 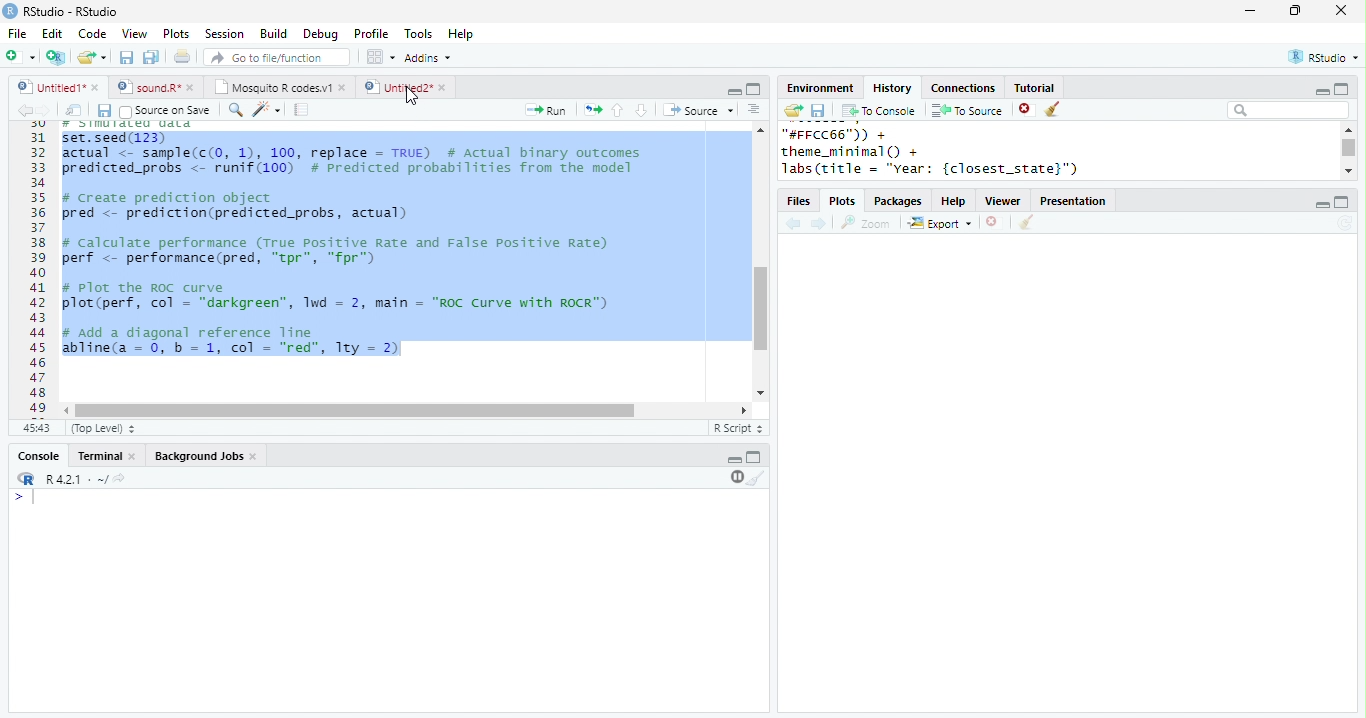 I want to click on terminal, so click(x=97, y=457).